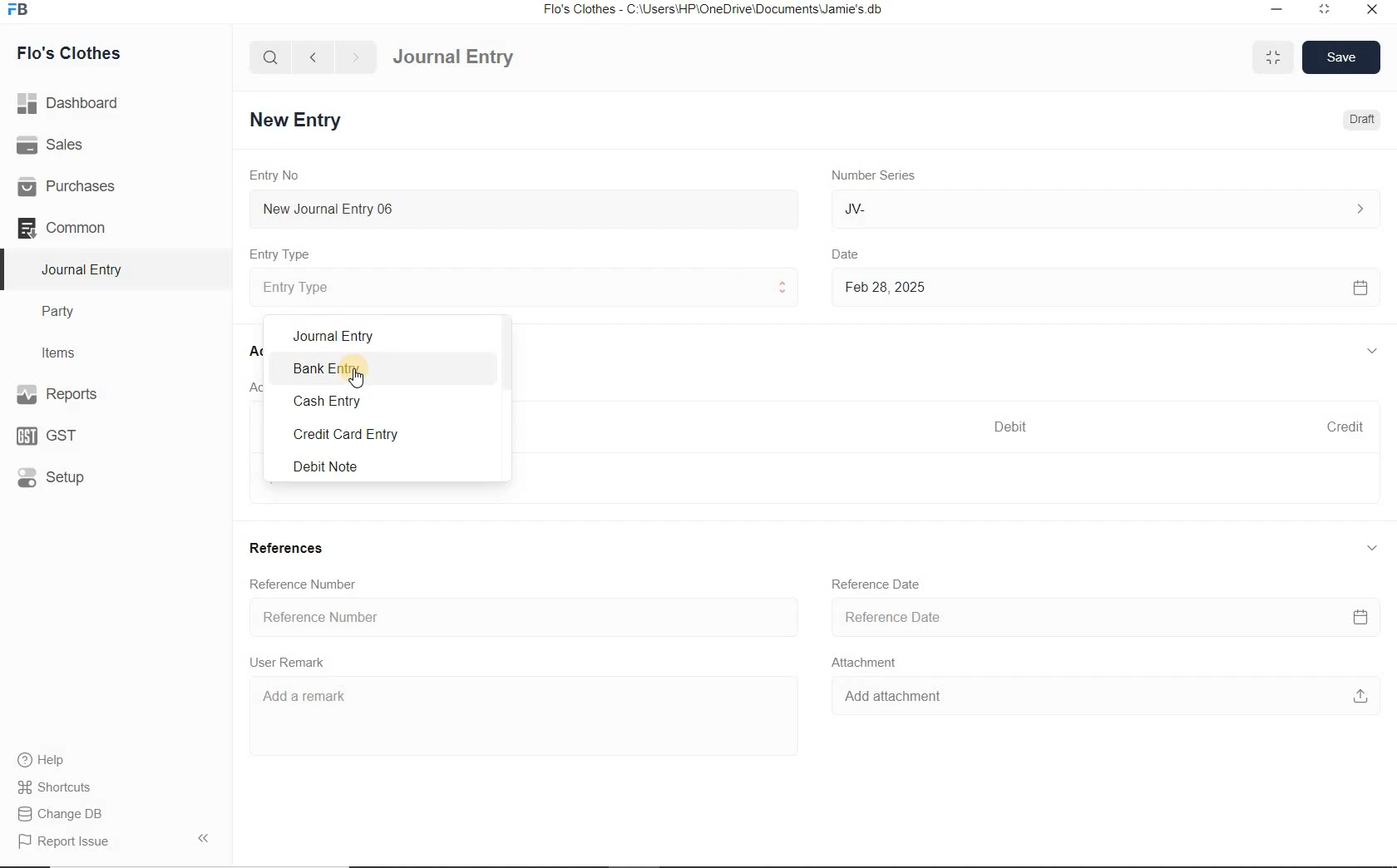 This screenshot has width=1397, height=868. What do you see at coordinates (1105, 287) in the screenshot?
I see `Feb 28, 2025` at bounding box center [1105, 287].